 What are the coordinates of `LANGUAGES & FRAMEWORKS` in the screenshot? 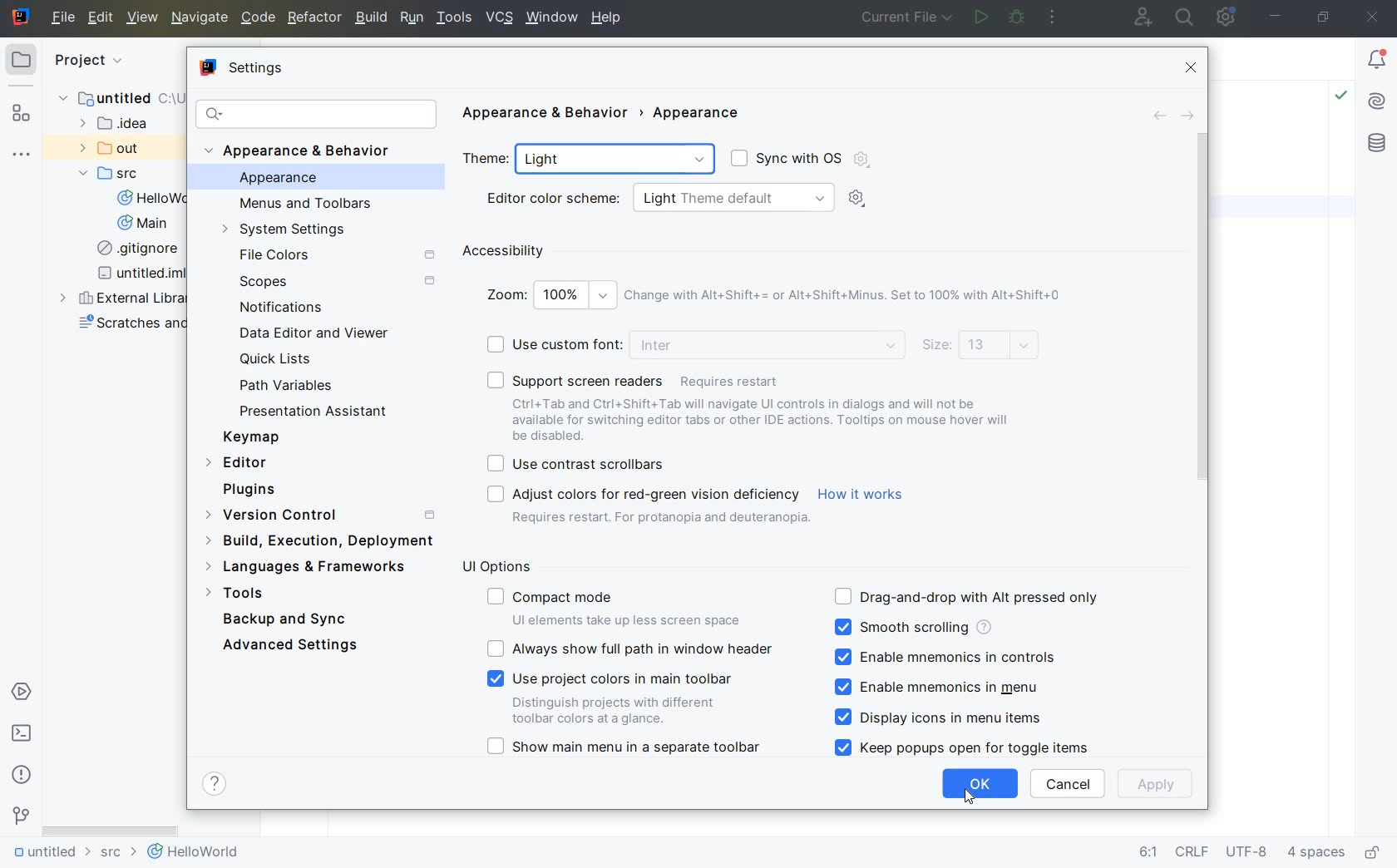 It's located at (314, 568).